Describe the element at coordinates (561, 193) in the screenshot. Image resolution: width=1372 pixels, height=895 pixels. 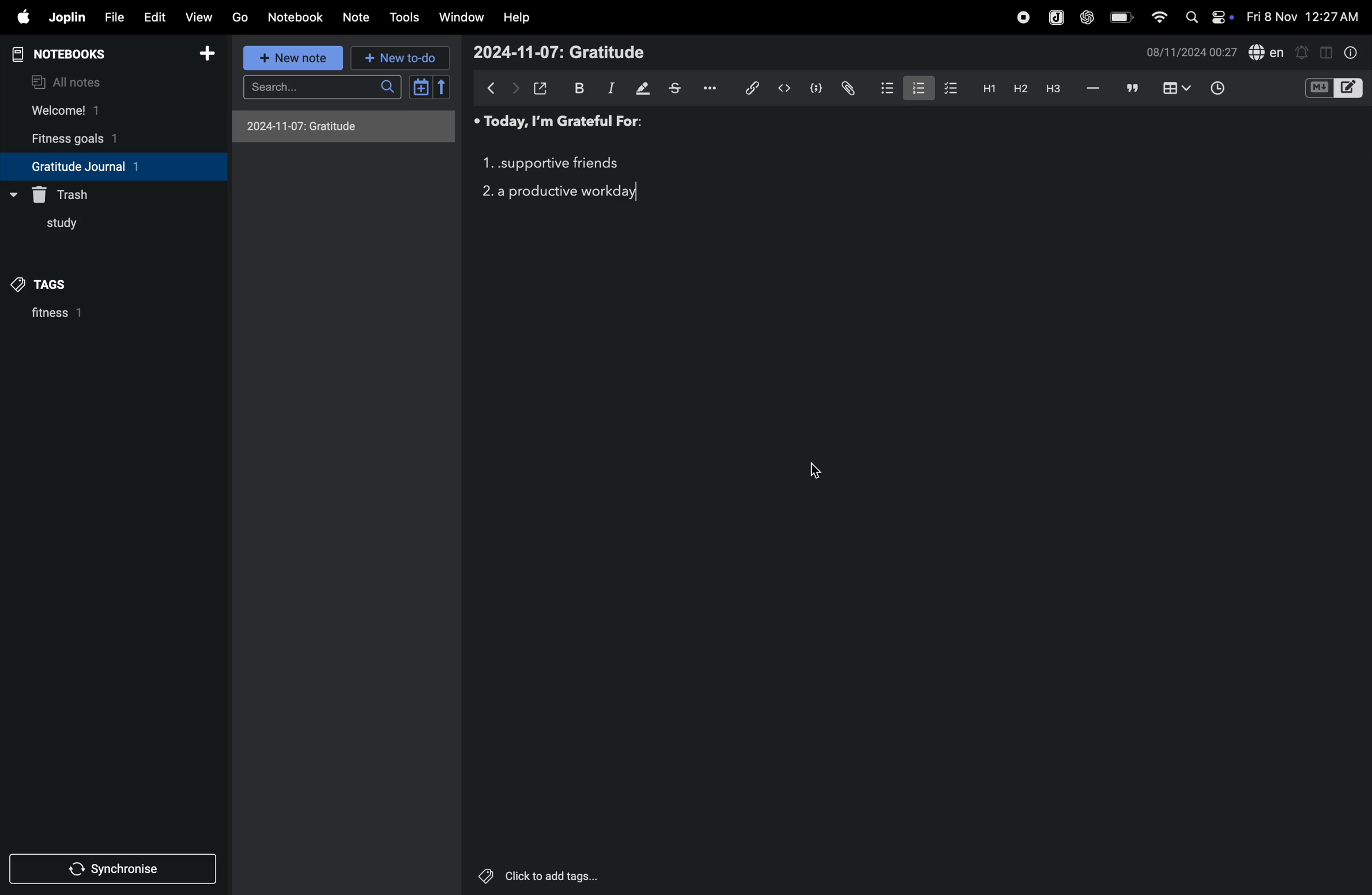
I see `2. a productive work day` at that location.